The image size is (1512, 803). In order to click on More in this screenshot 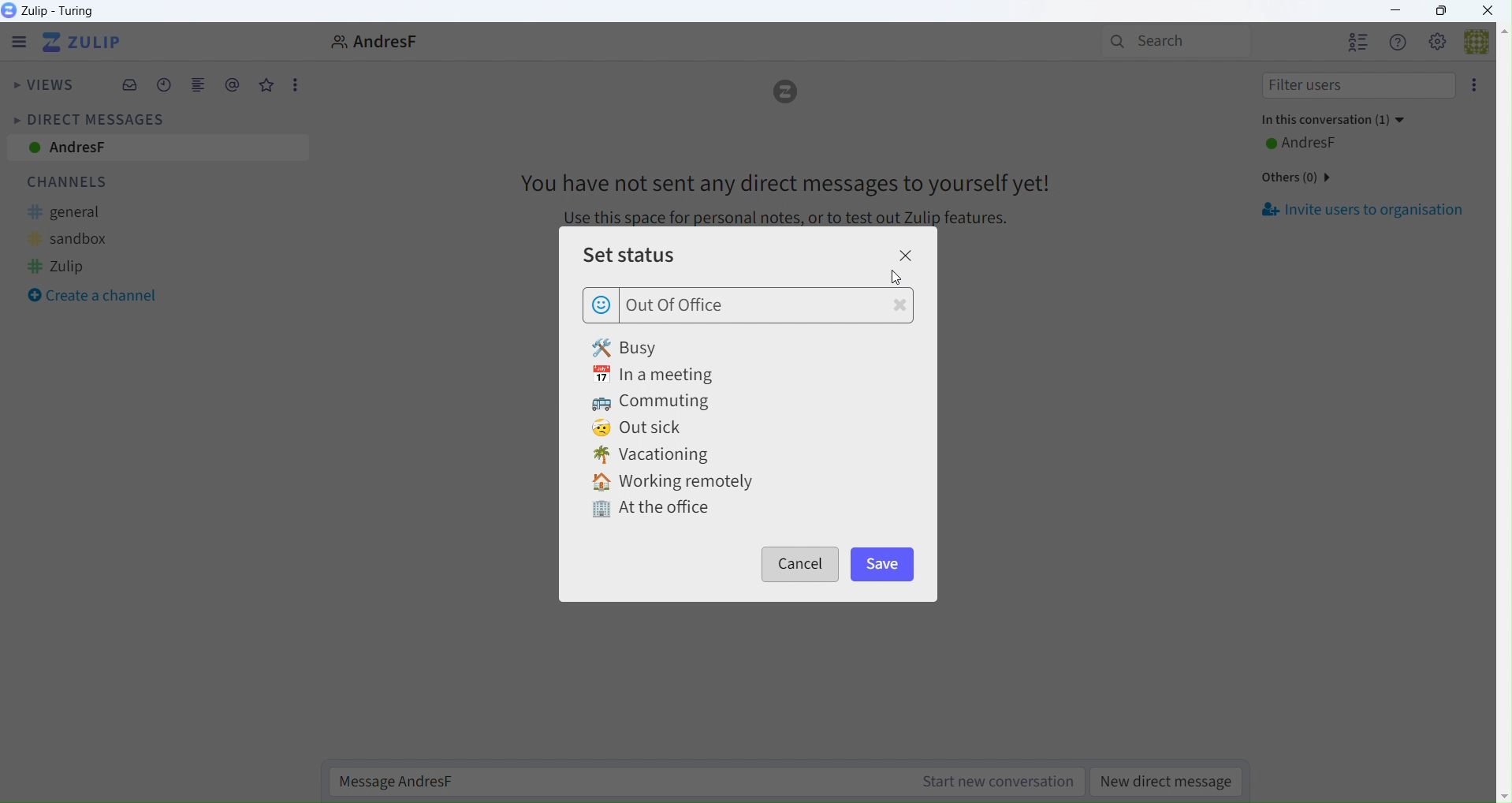, I will do `click(1475, 87)`.